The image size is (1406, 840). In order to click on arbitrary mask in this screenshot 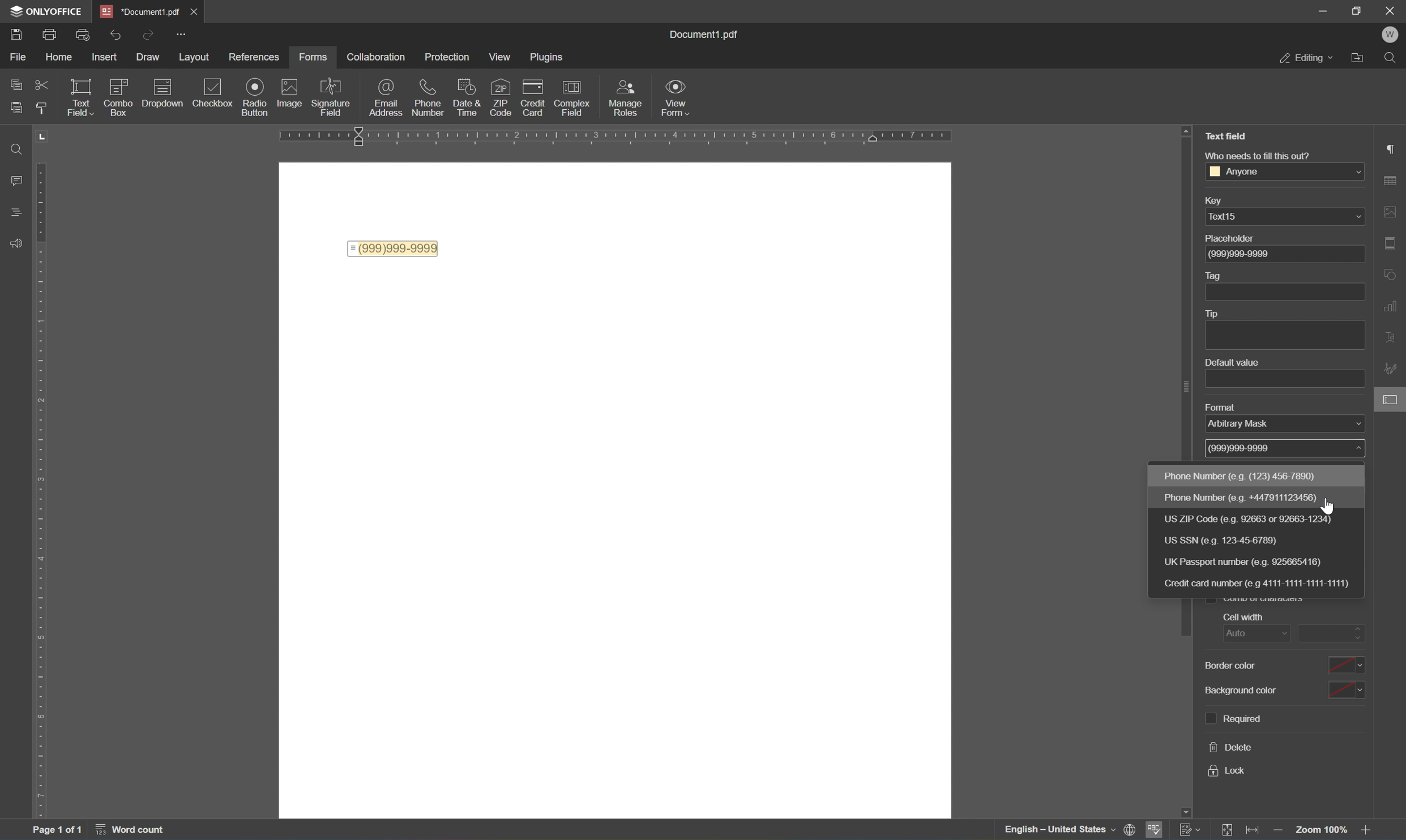, I will do `click(1247, 426)`.